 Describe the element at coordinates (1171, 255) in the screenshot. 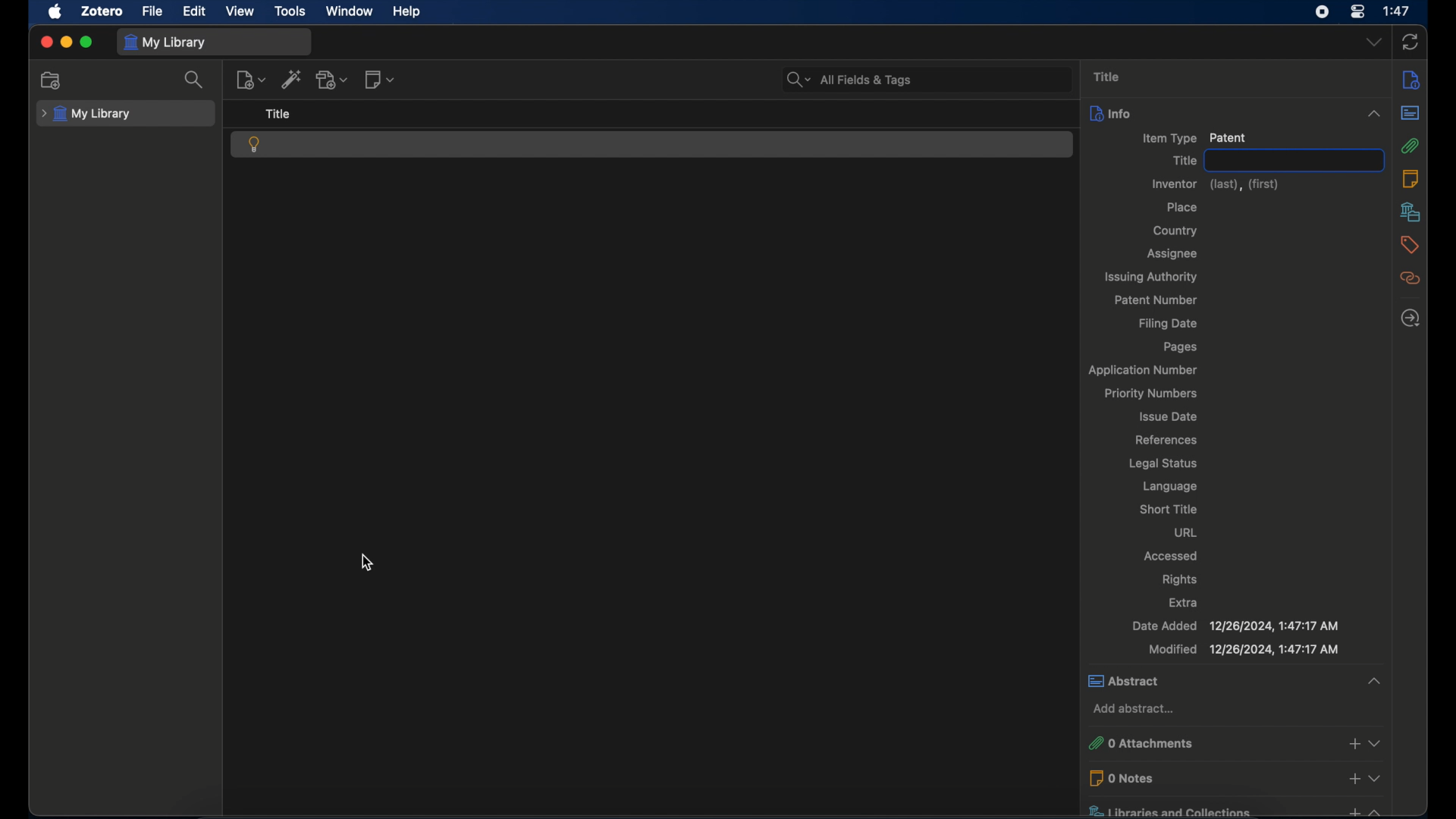

I see `assignee` at that location.